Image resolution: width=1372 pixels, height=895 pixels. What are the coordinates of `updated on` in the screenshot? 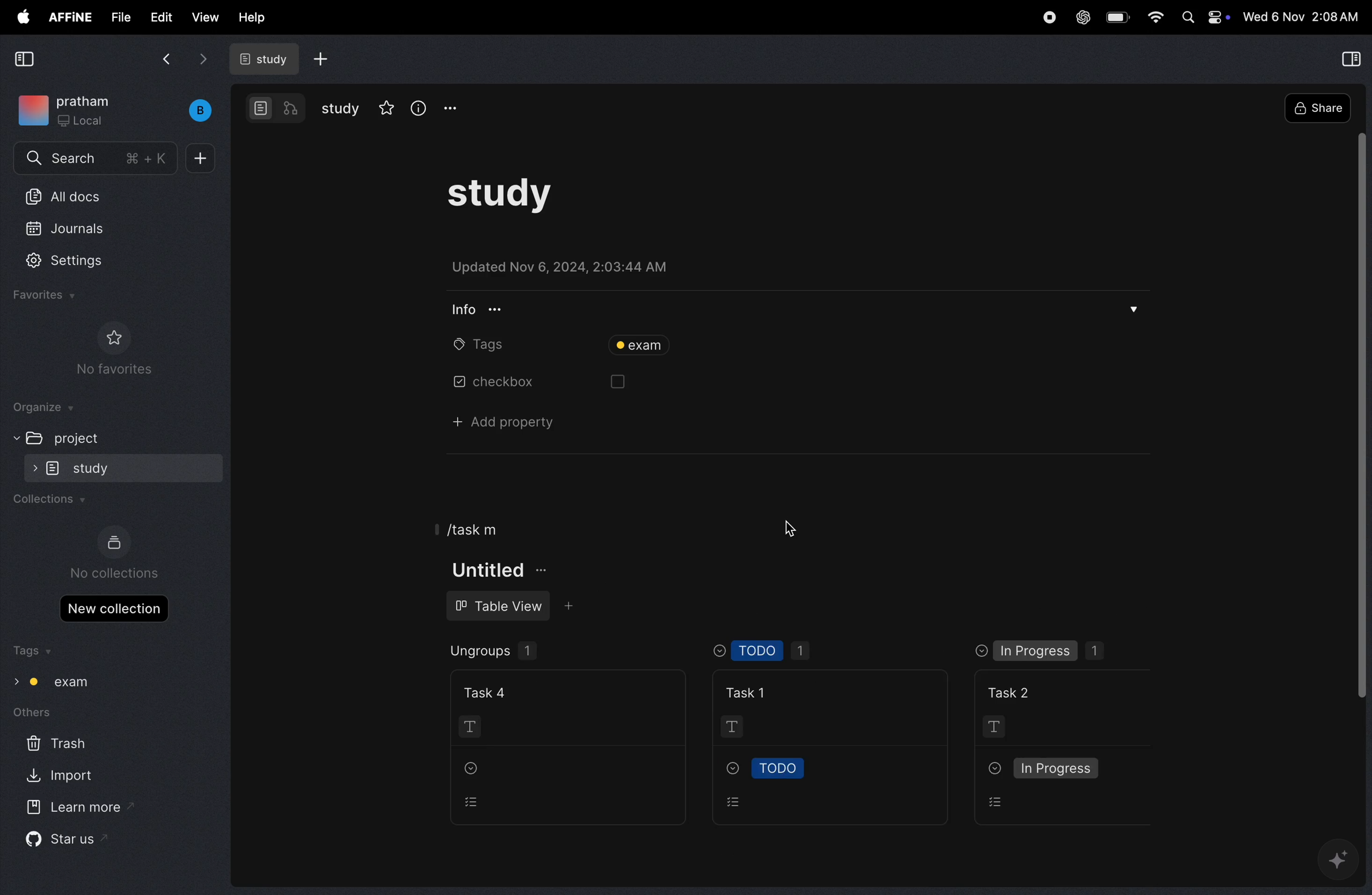 It's located at (589, 266).